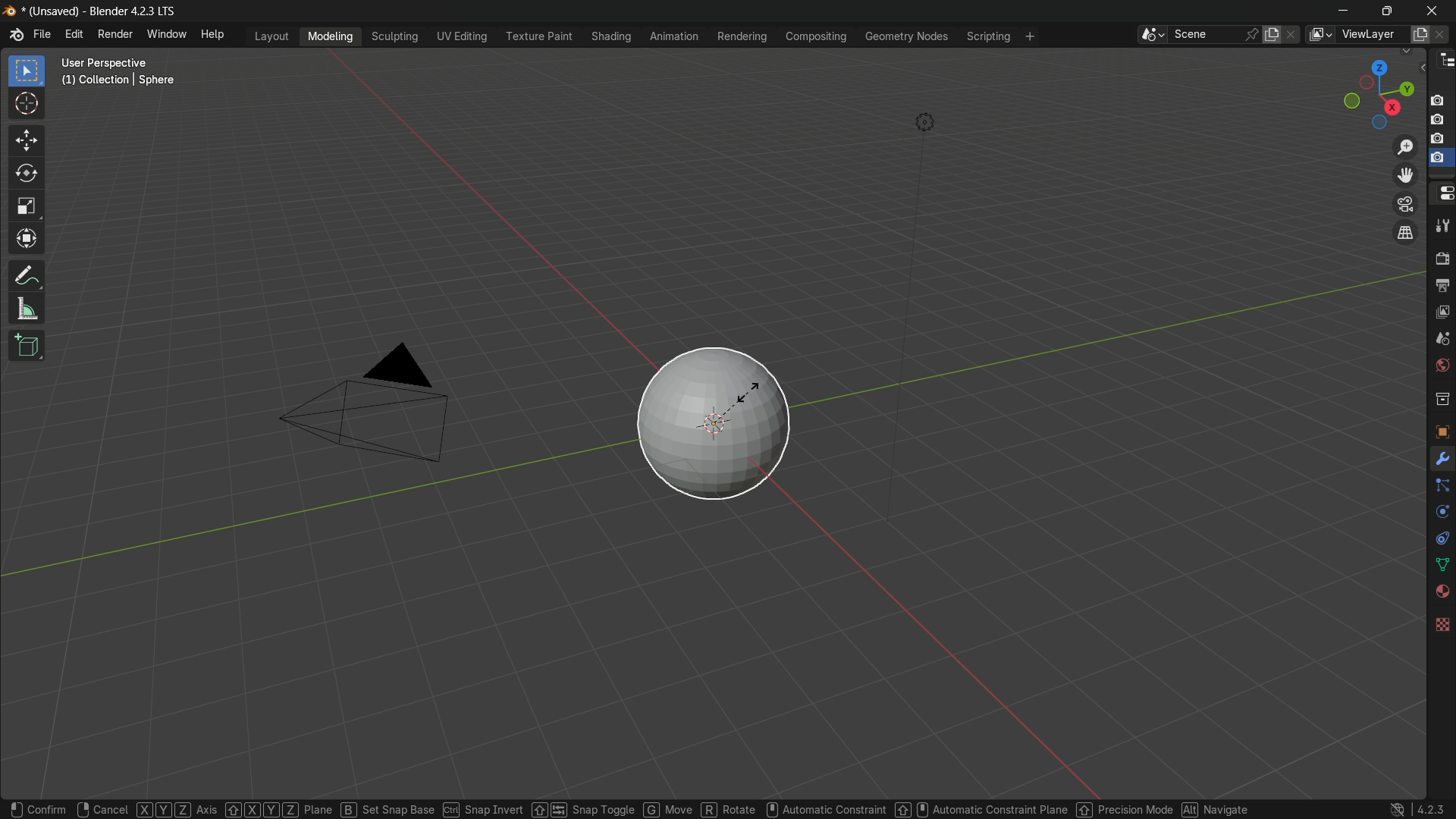 This screenshot has width=1456, height=819. What do you see at coordinates (1253, 33) in the screenshot?
I see `pin scene to workplace` at bounding box center [1253, 33].